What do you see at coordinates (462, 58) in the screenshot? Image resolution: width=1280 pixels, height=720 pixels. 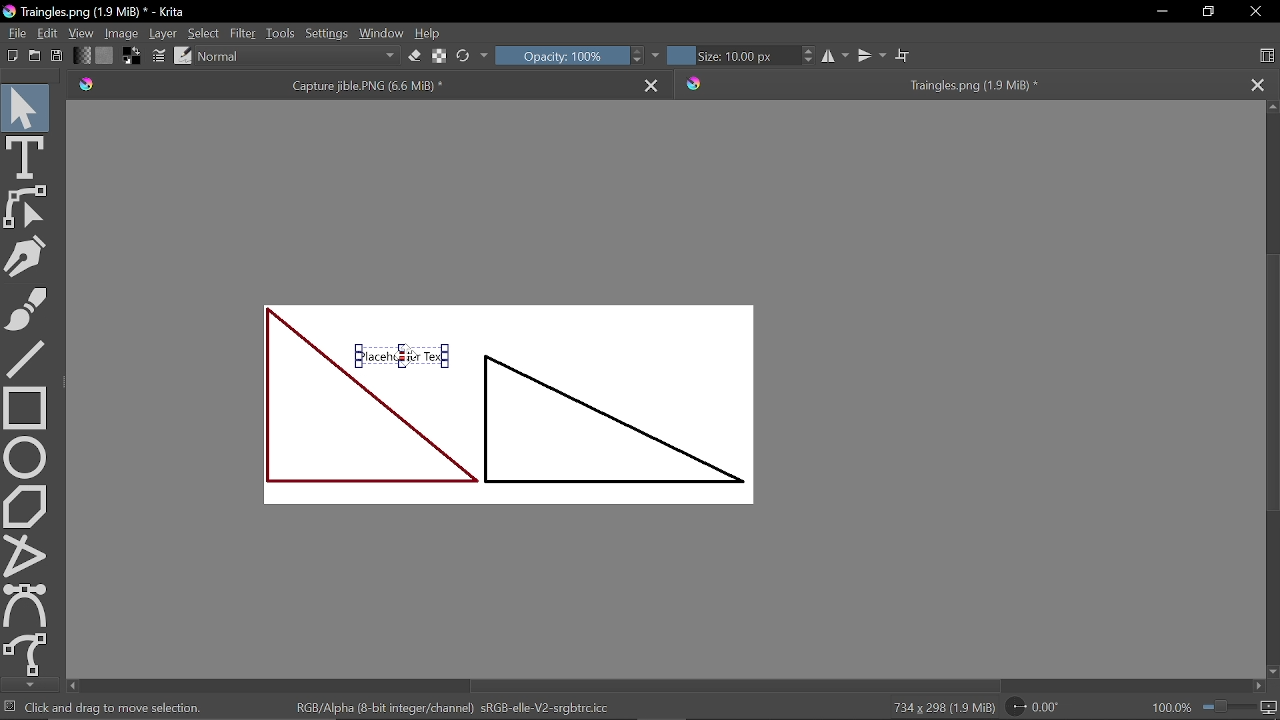 I see `Reload original preset` at bounding box center [462, 58].